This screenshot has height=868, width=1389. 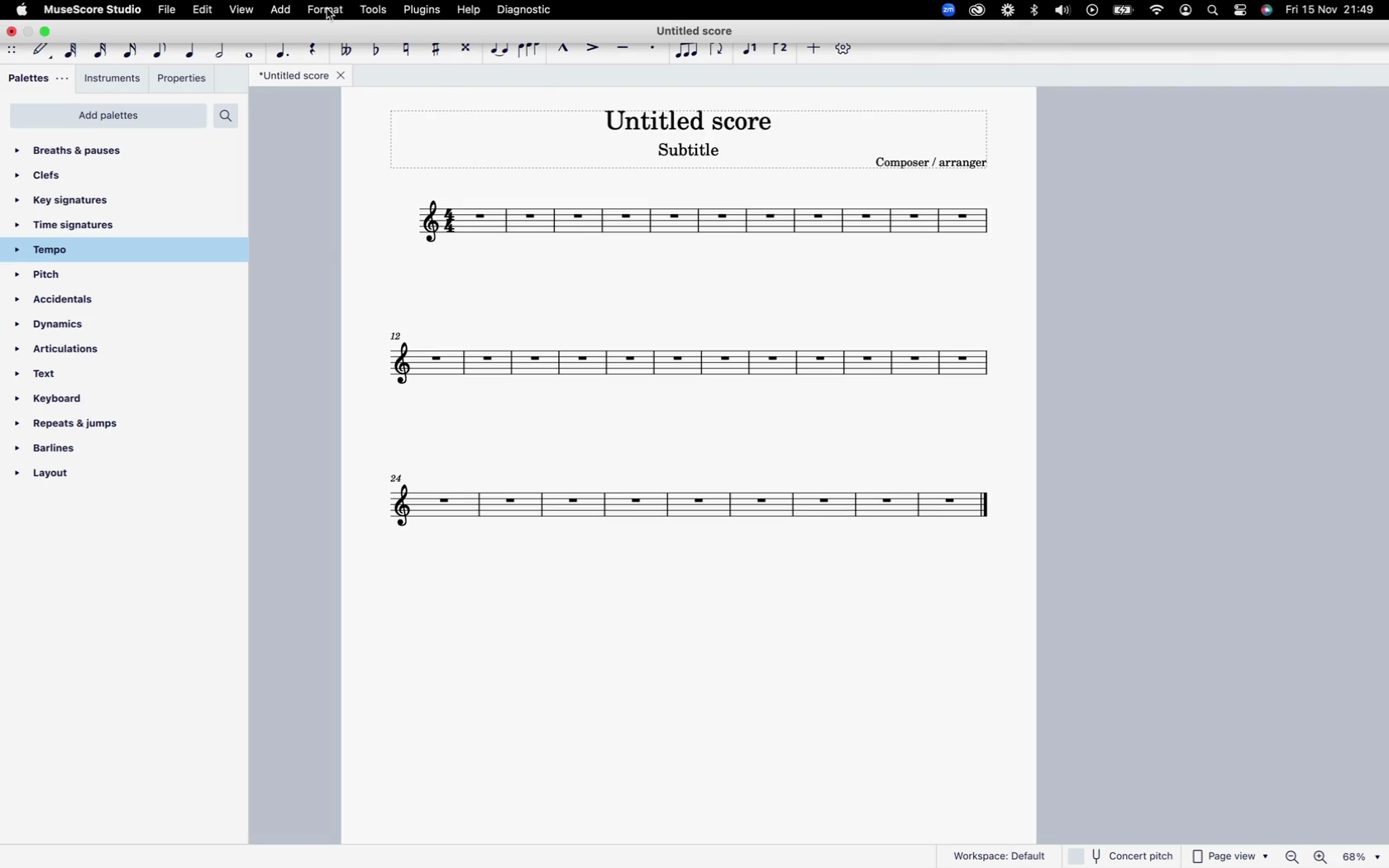 I want to click on keyboard, so click(x=67, y=401).